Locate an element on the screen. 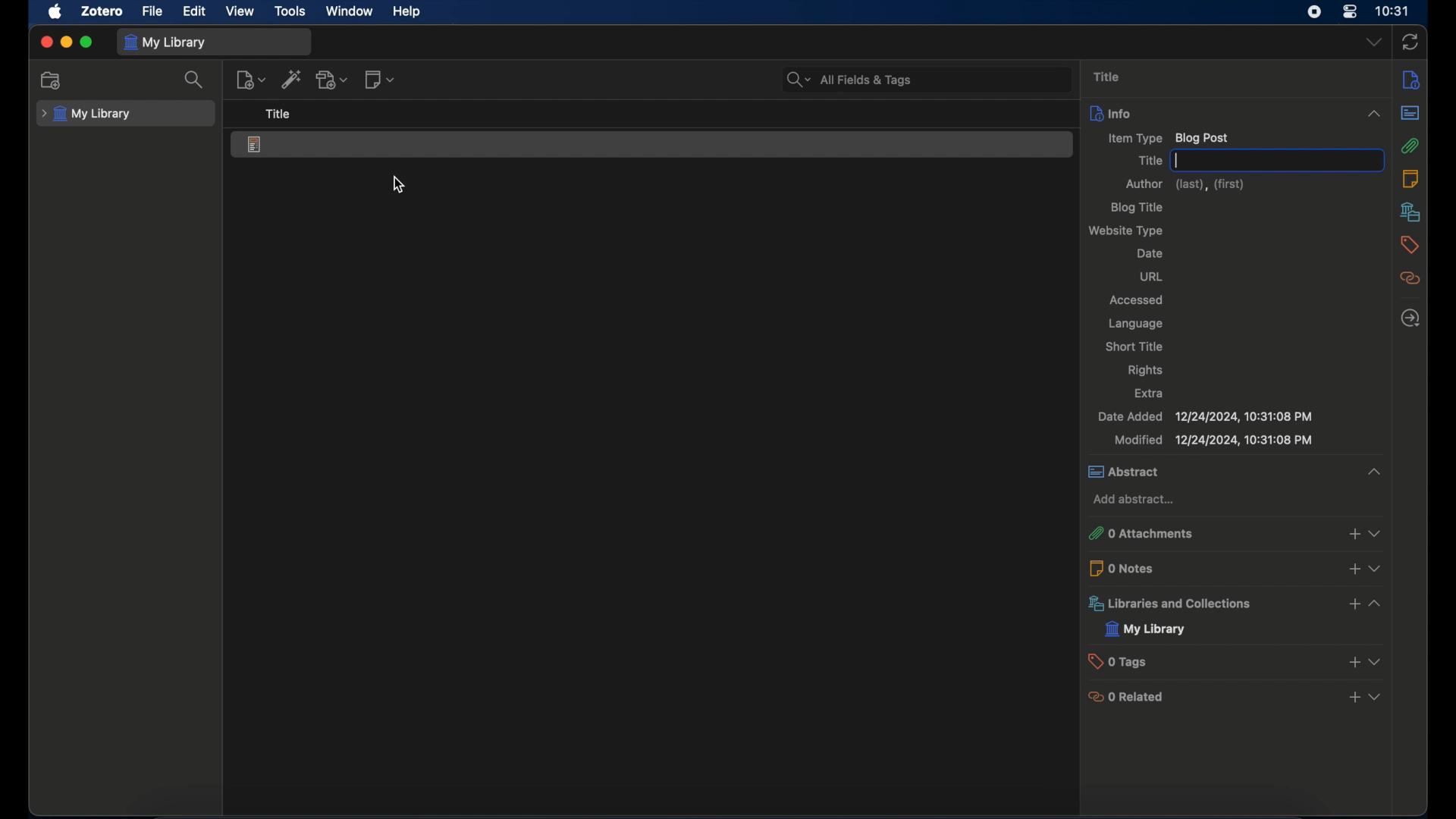 This screenshot has height=819, width=1456. title is located at coordinates (1147, 161).